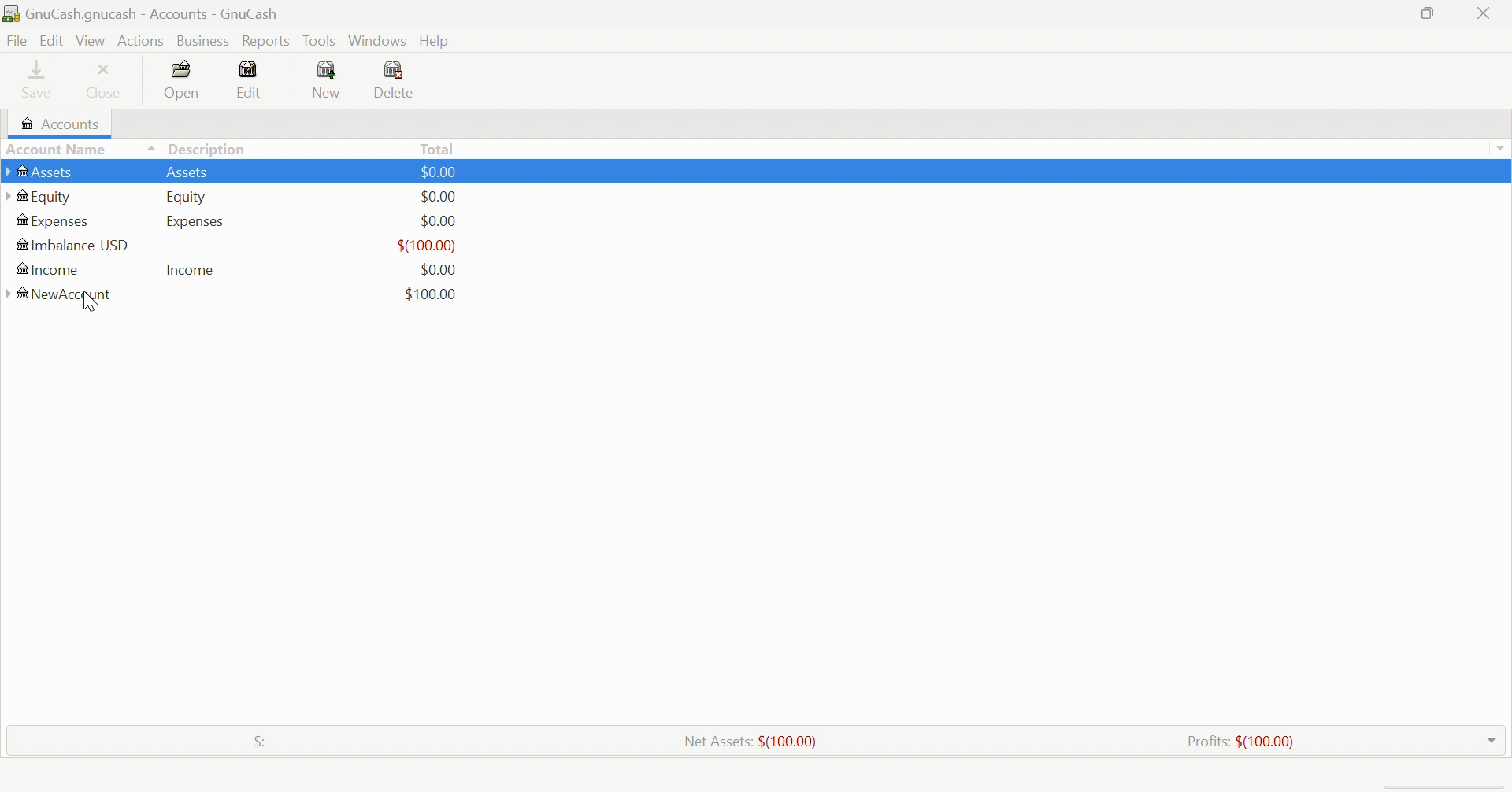  I want to click on Income, so click(50, 268).